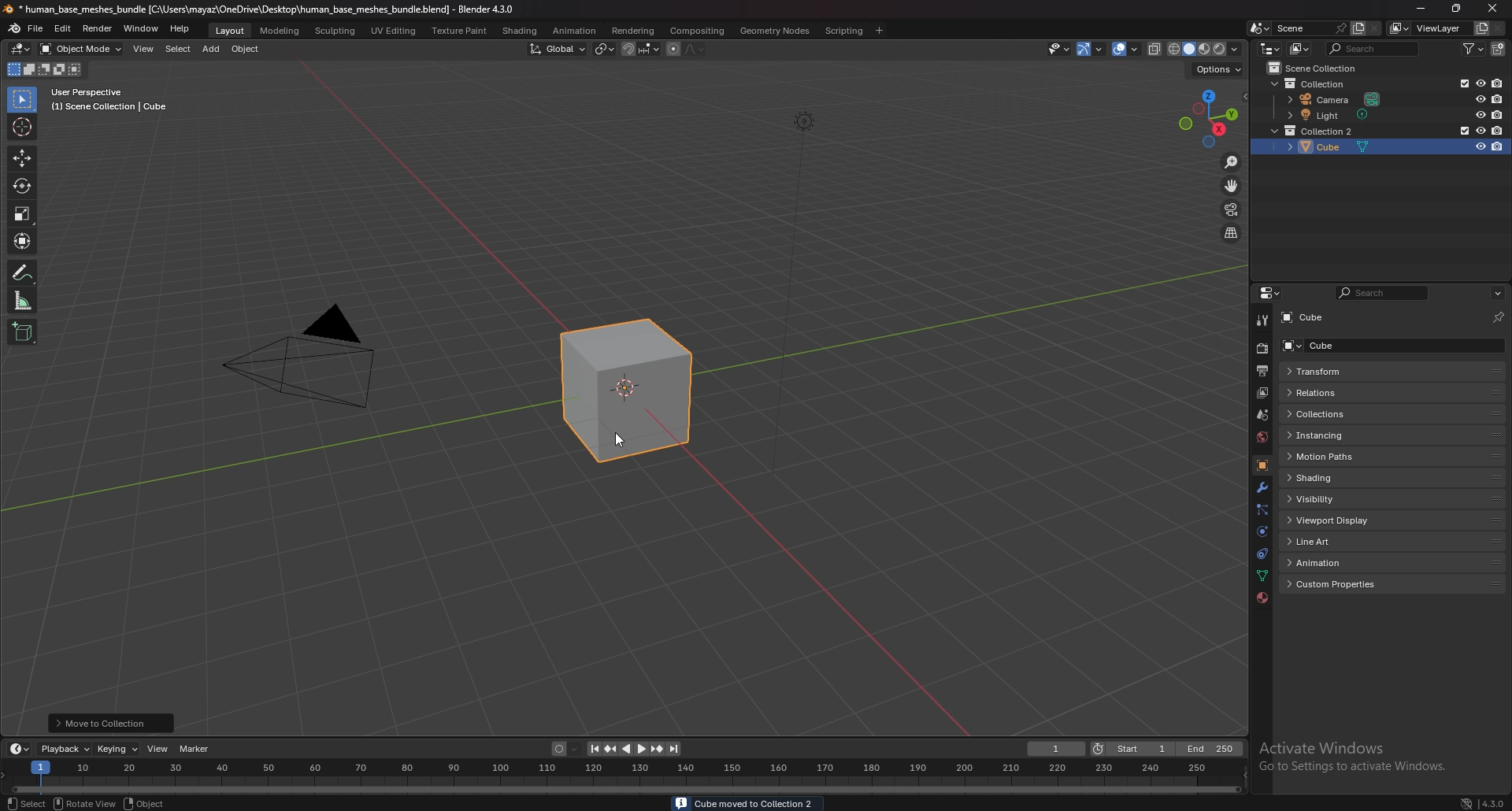 The image size is (1512, 811). What do you see at coordinates (567, 749) in the screenshot?
I see `auto keying` at bounding box center [567, 749].